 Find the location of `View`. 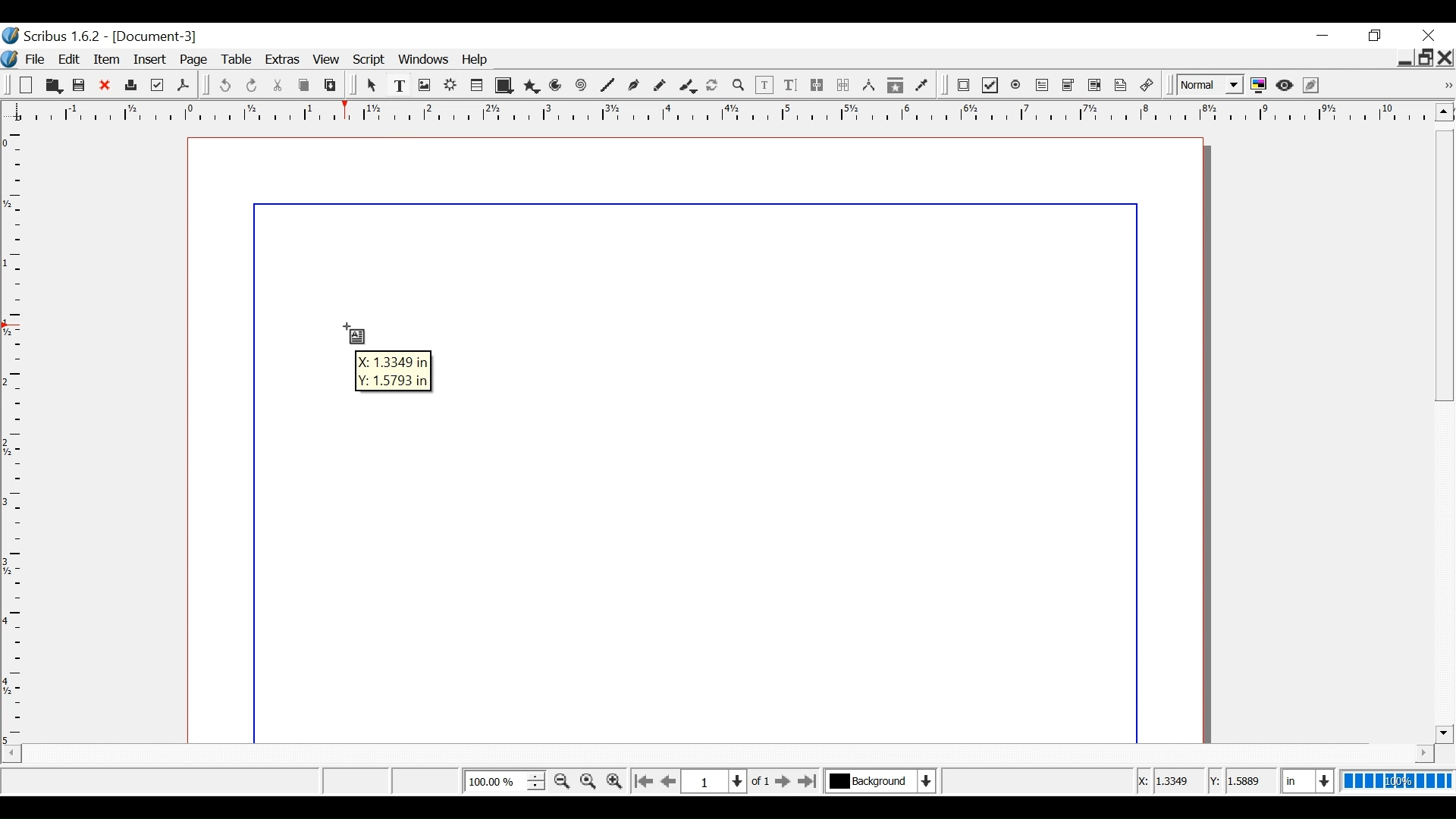

View is located at coordinates (327, 59).